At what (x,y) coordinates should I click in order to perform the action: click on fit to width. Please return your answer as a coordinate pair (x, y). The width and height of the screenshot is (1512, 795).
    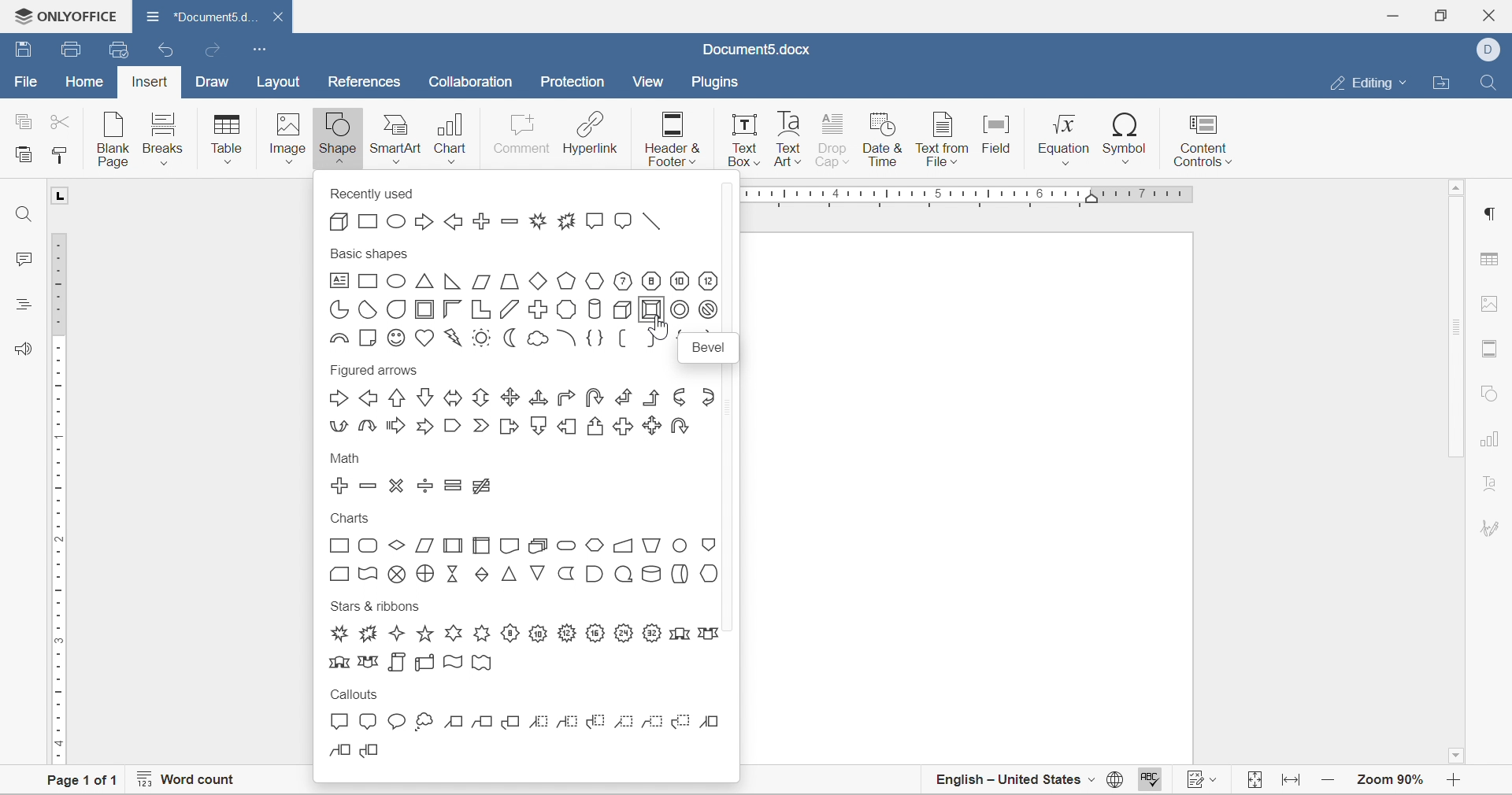
    Looking at the image, I should click on (1252, 782).